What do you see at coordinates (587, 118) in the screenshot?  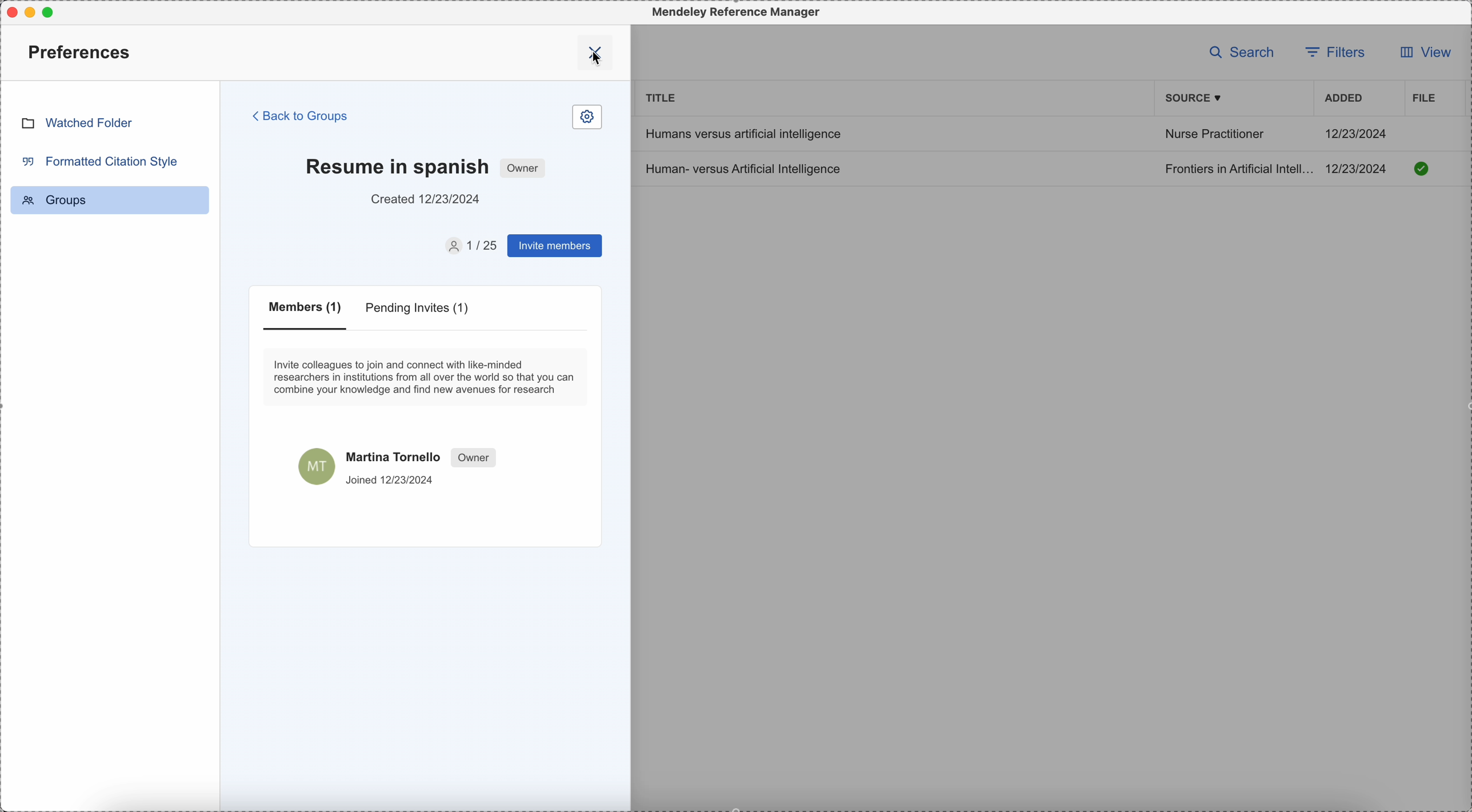 I see `group settings` at bounding box center [587, 118].